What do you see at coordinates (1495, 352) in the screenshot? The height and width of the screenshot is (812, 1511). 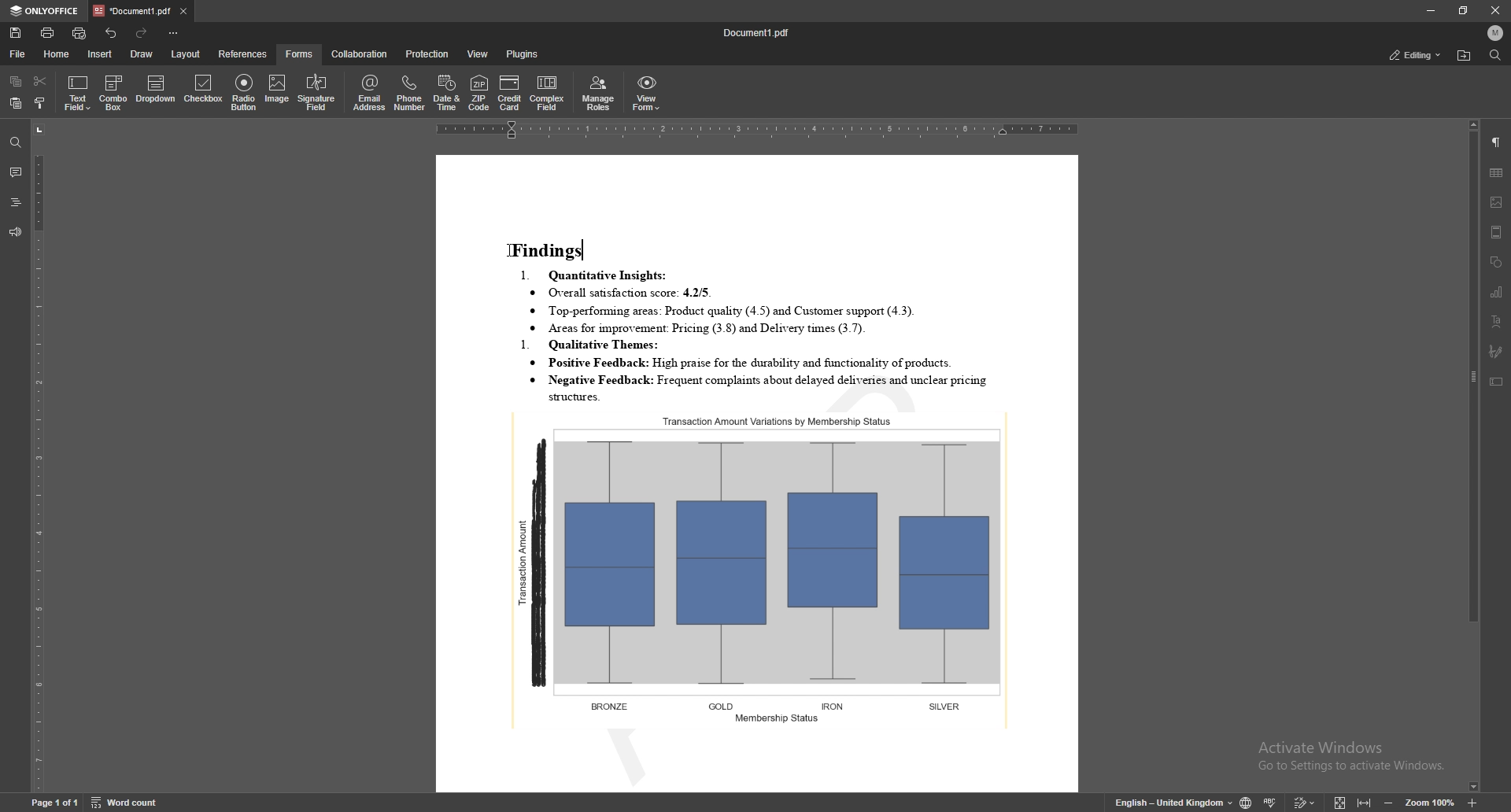 I see `signature field` at bounding box center [1495, 352].